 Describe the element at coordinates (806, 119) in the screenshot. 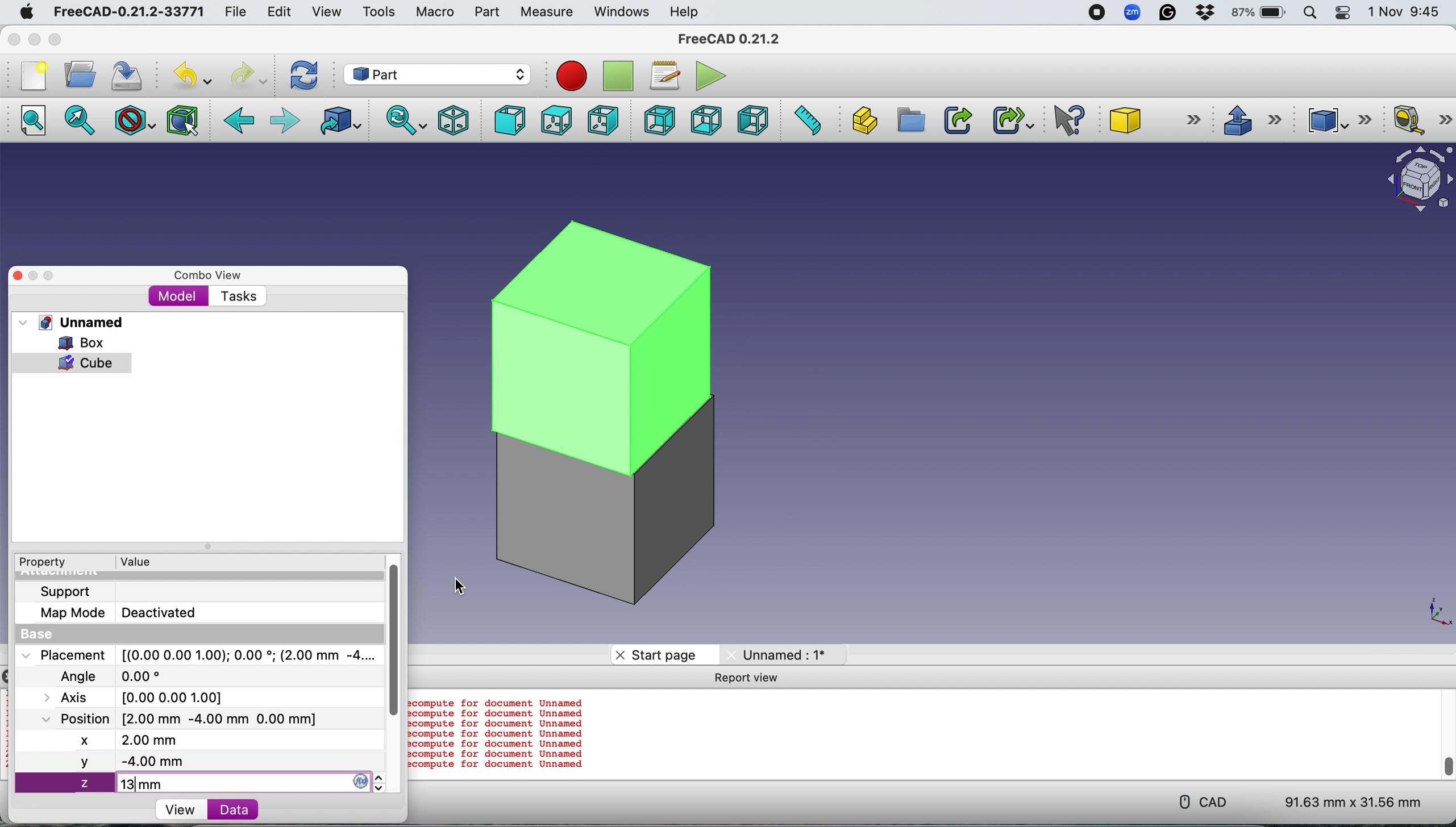

I see `Measure distance` at that location.